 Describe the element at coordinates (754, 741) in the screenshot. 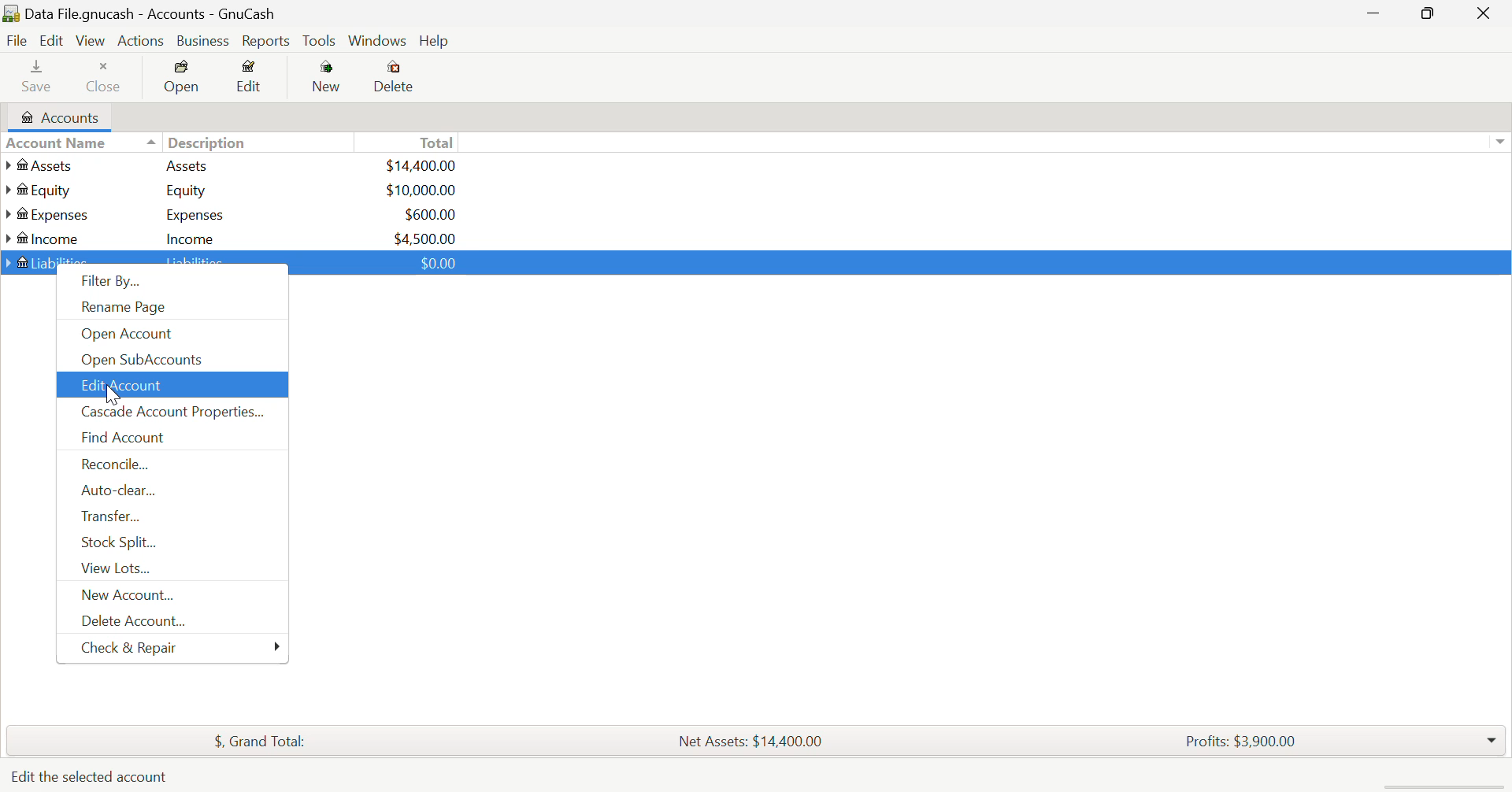

I see `Net Assets` at that location.